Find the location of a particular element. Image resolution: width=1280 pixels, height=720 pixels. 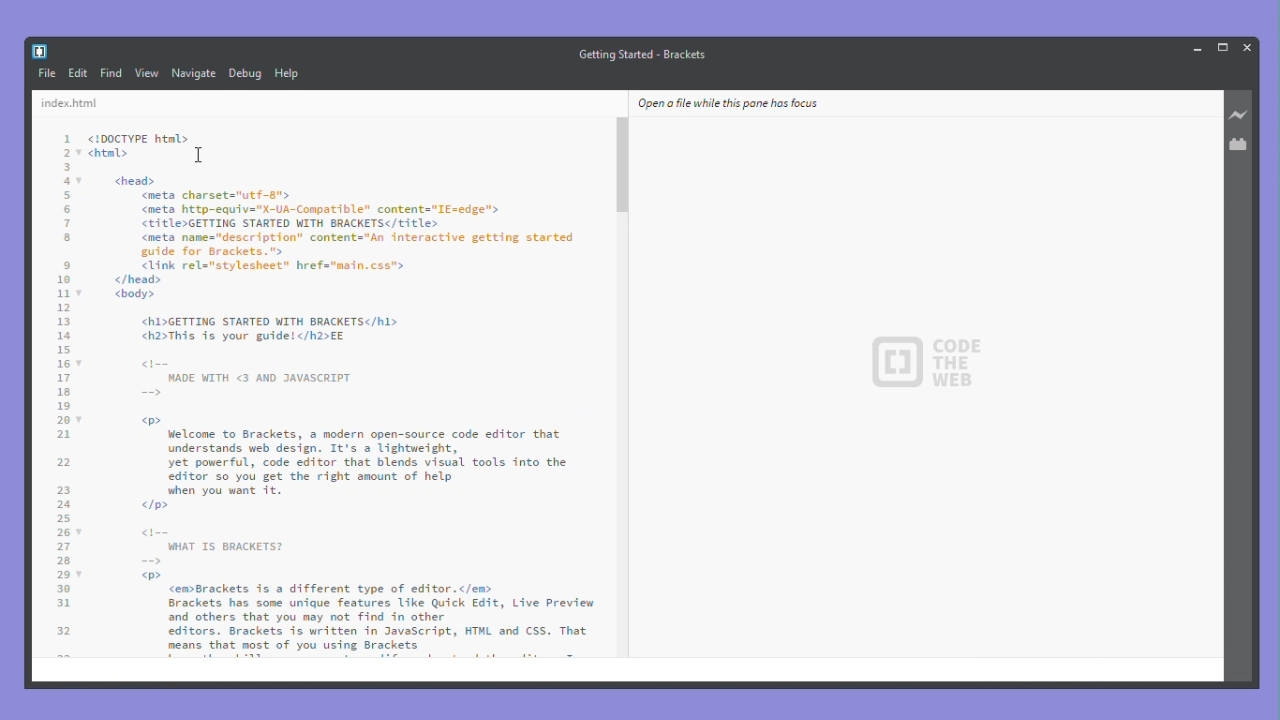

open a file while this pane has focus is located at coordinates (728, 102).